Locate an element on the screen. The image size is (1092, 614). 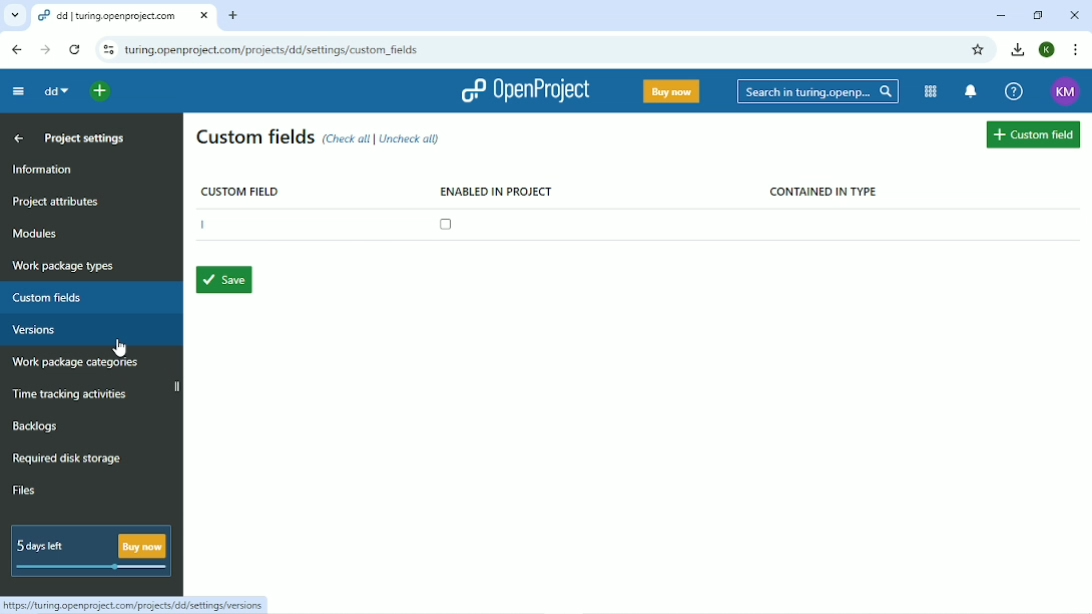
Site is located at coordinates (272, 51).